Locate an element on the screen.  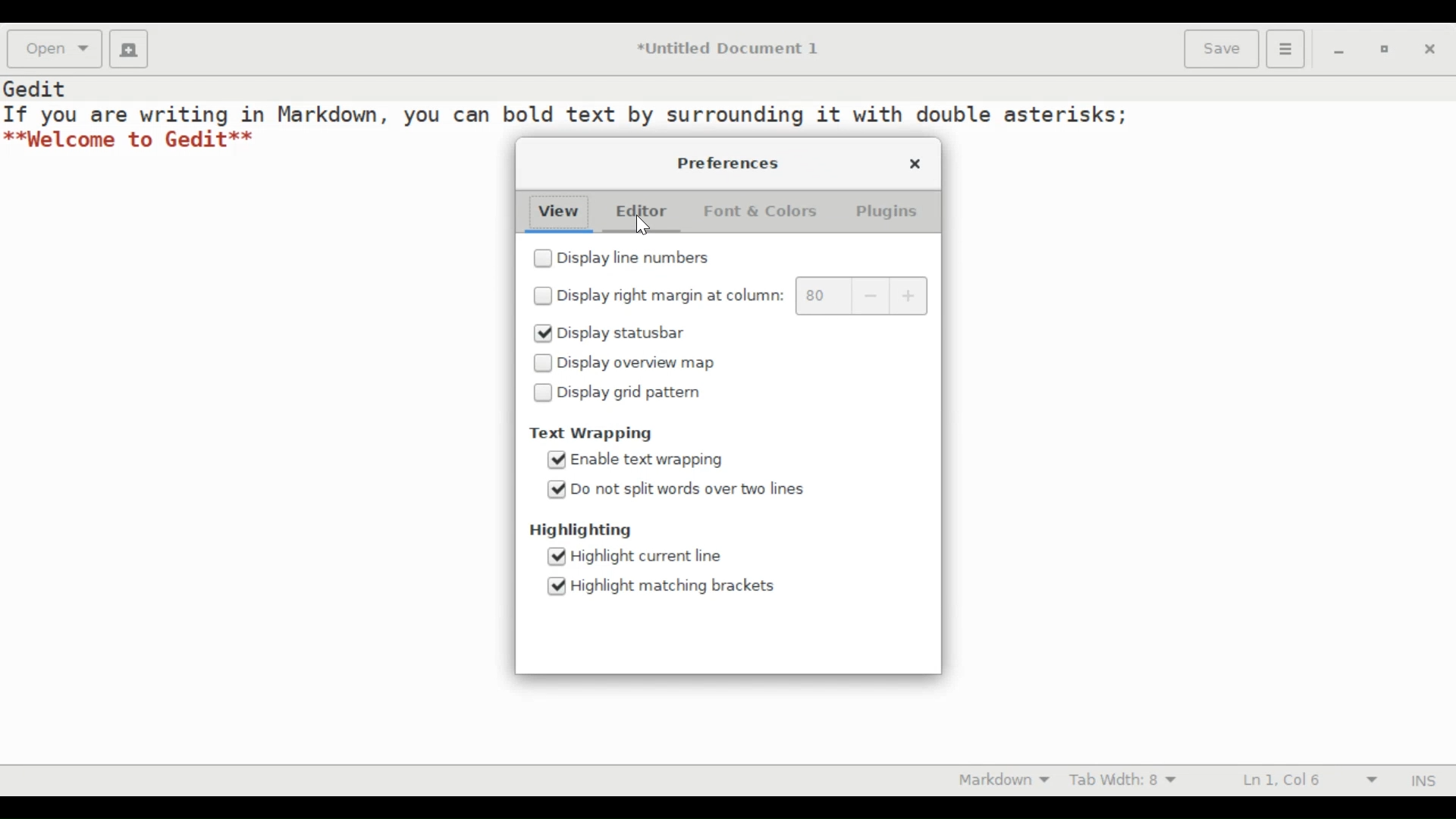
**Welcome to Gedit** is located at coordinates (130, 140).